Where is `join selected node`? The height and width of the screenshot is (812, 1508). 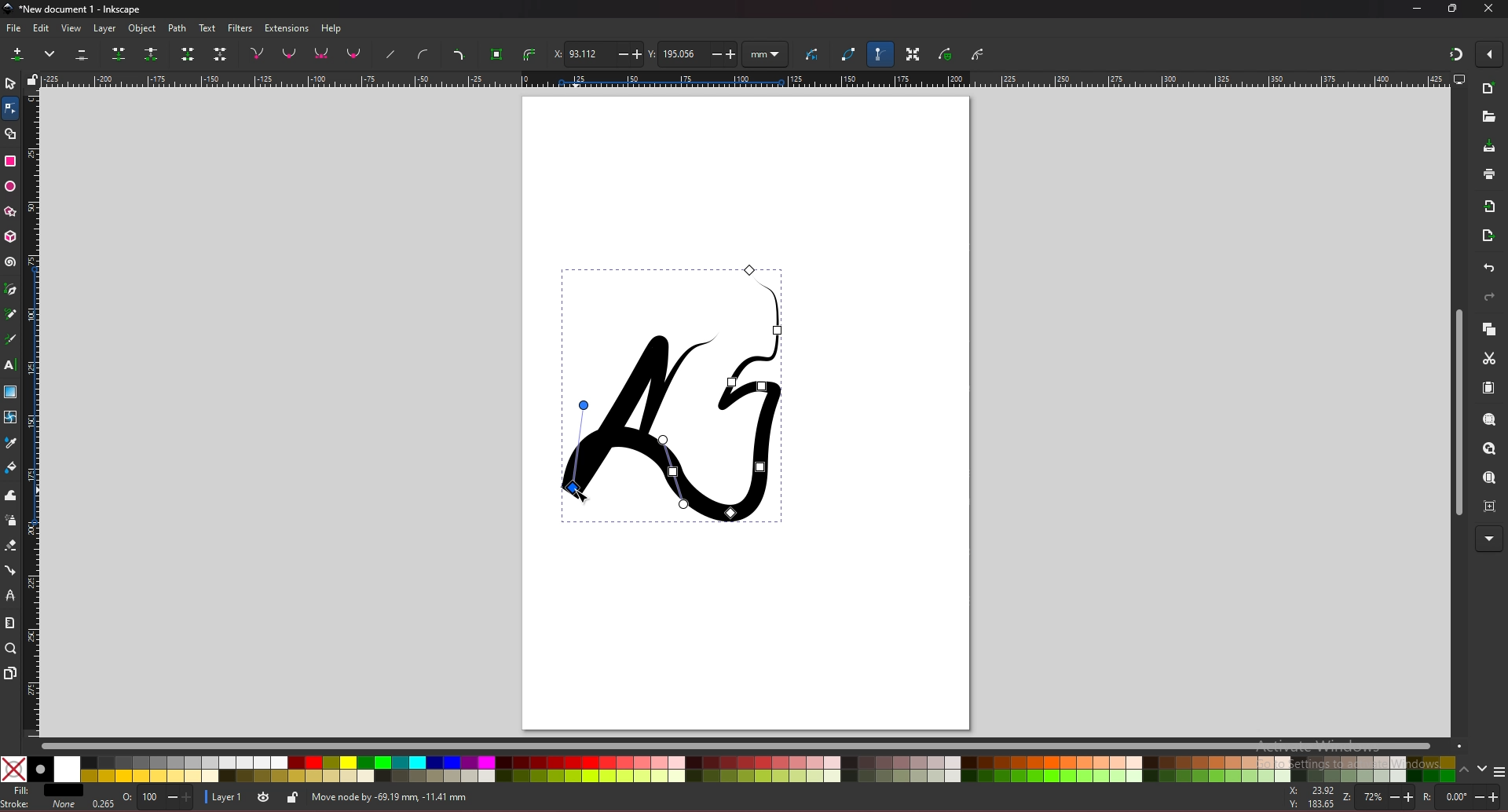
join selected node is located at coordinates (118, 53).